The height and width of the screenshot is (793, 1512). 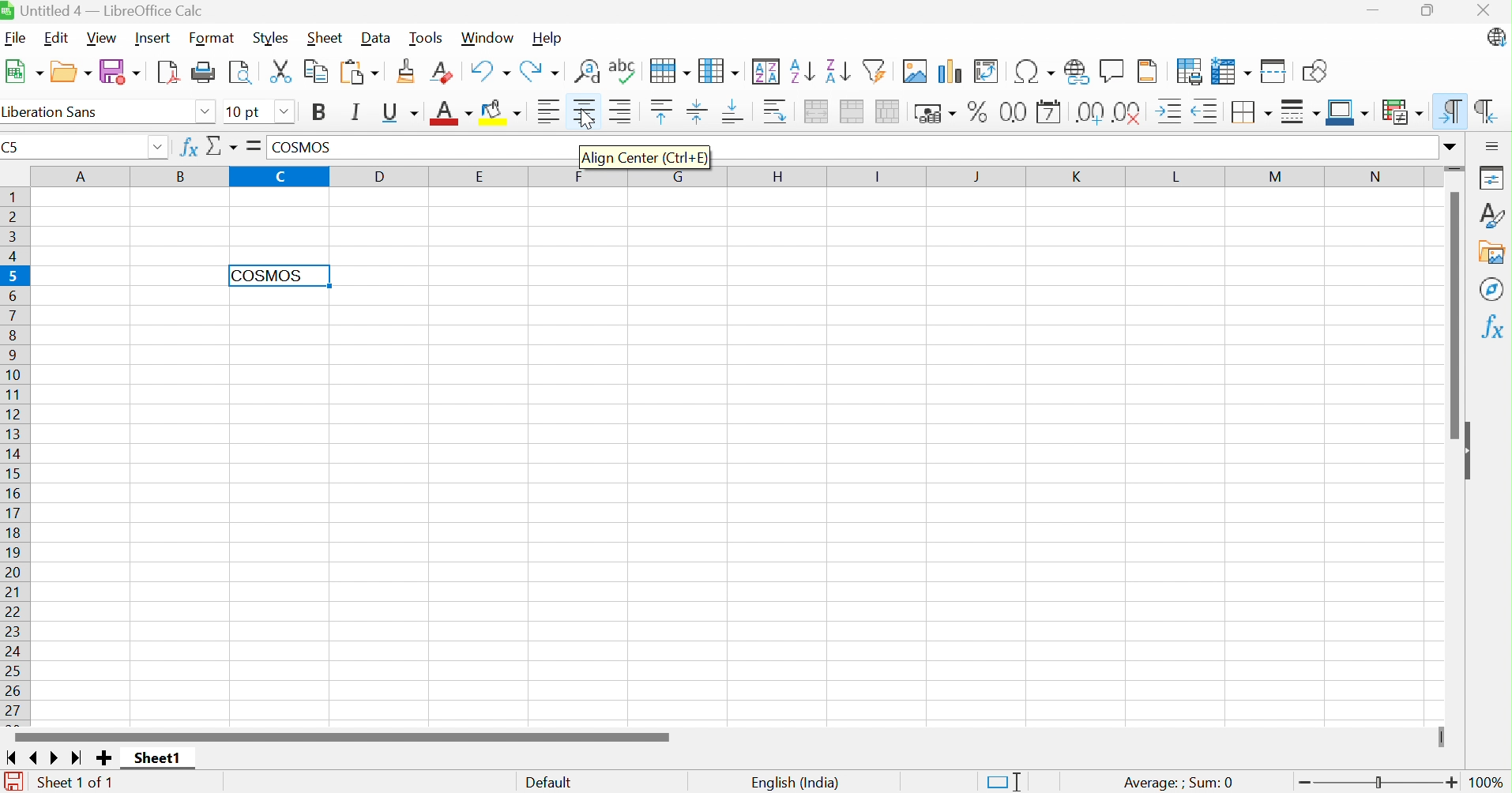 I want to click on Properties, so click(x=1495, y=179).